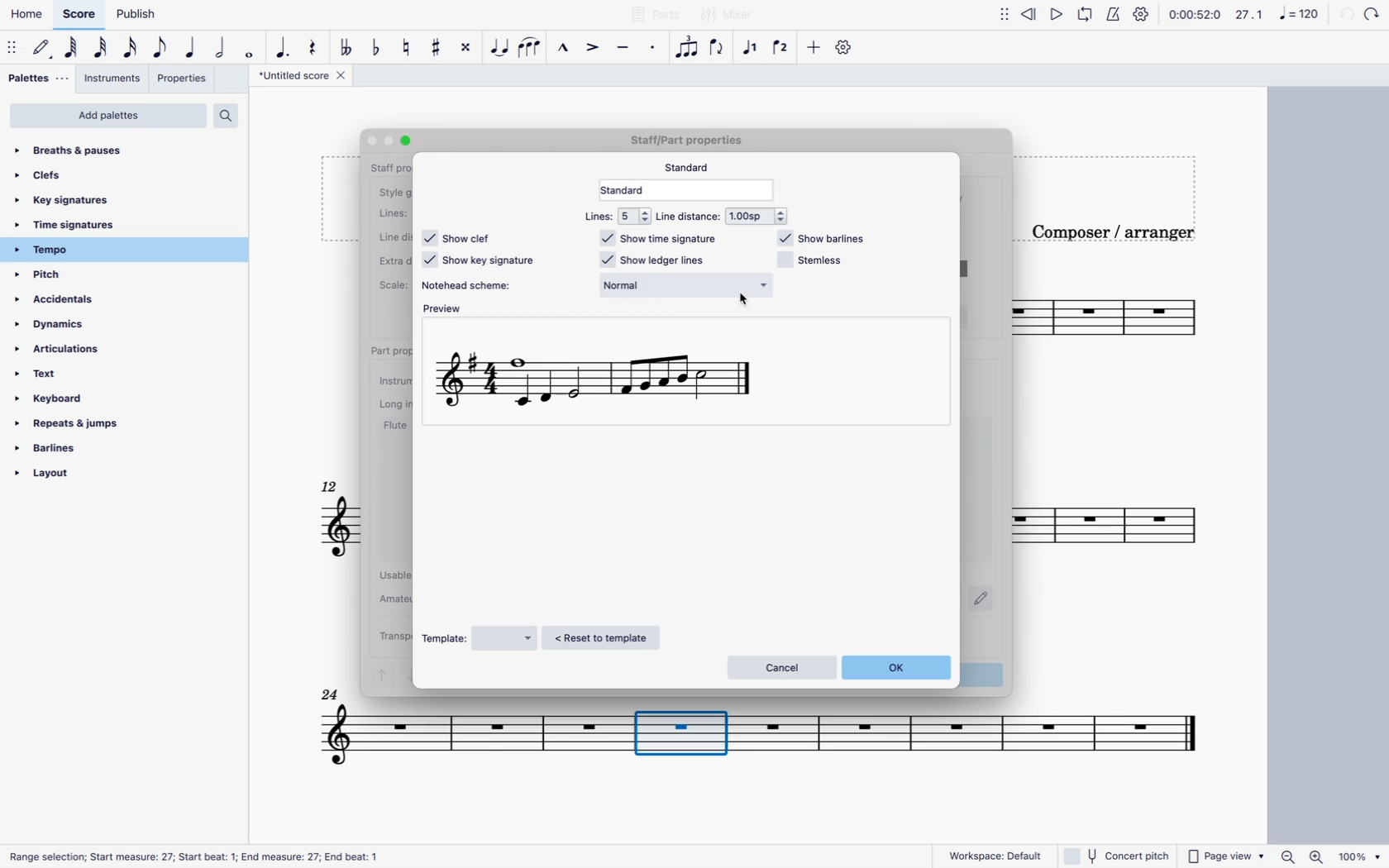 Image resolution: width=1389 pixels, height=868 pixels. I want to click on tenuto, so click(625, 45).